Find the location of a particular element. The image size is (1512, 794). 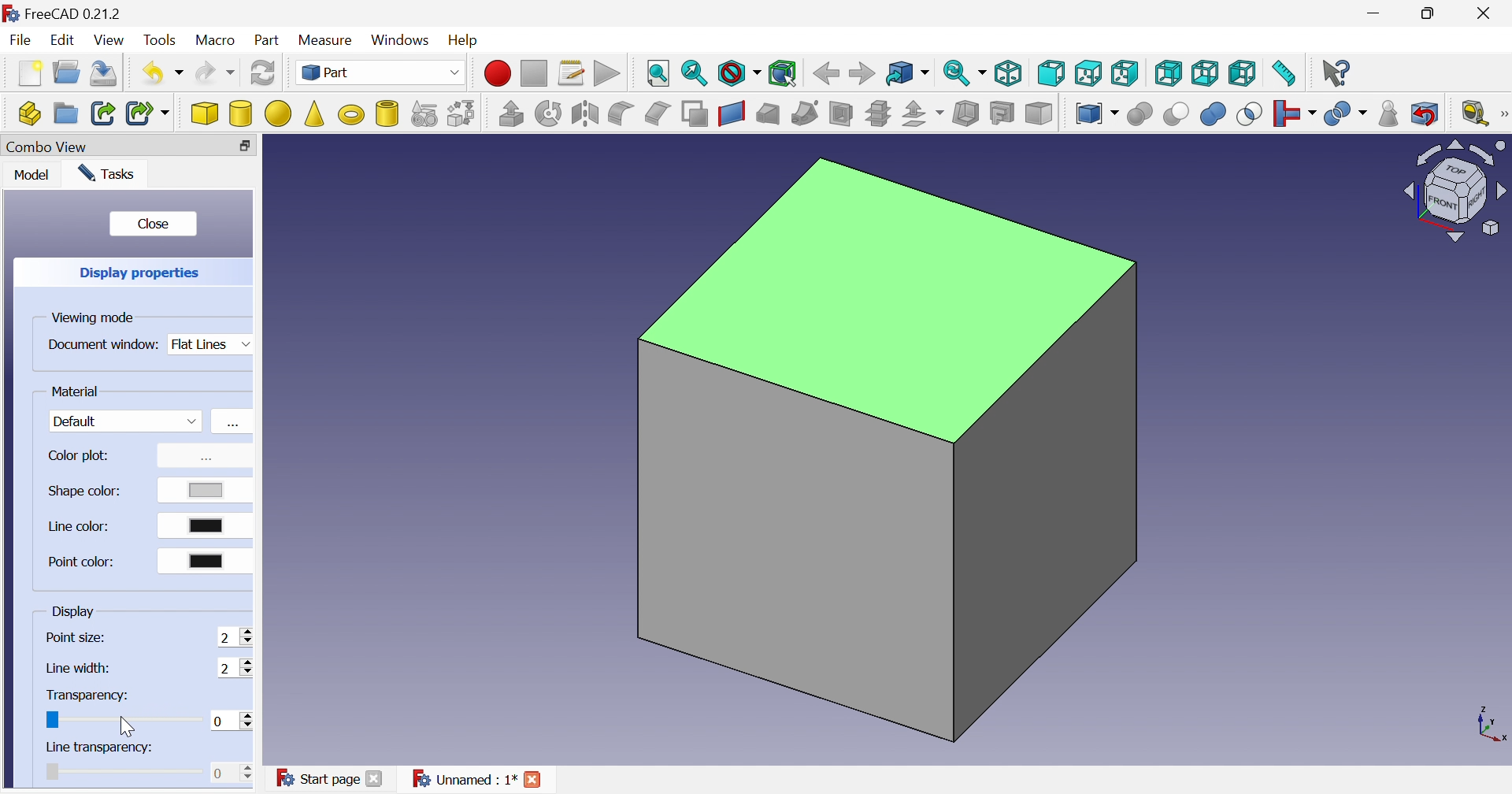

Close is located at coordinates (1486, 13).